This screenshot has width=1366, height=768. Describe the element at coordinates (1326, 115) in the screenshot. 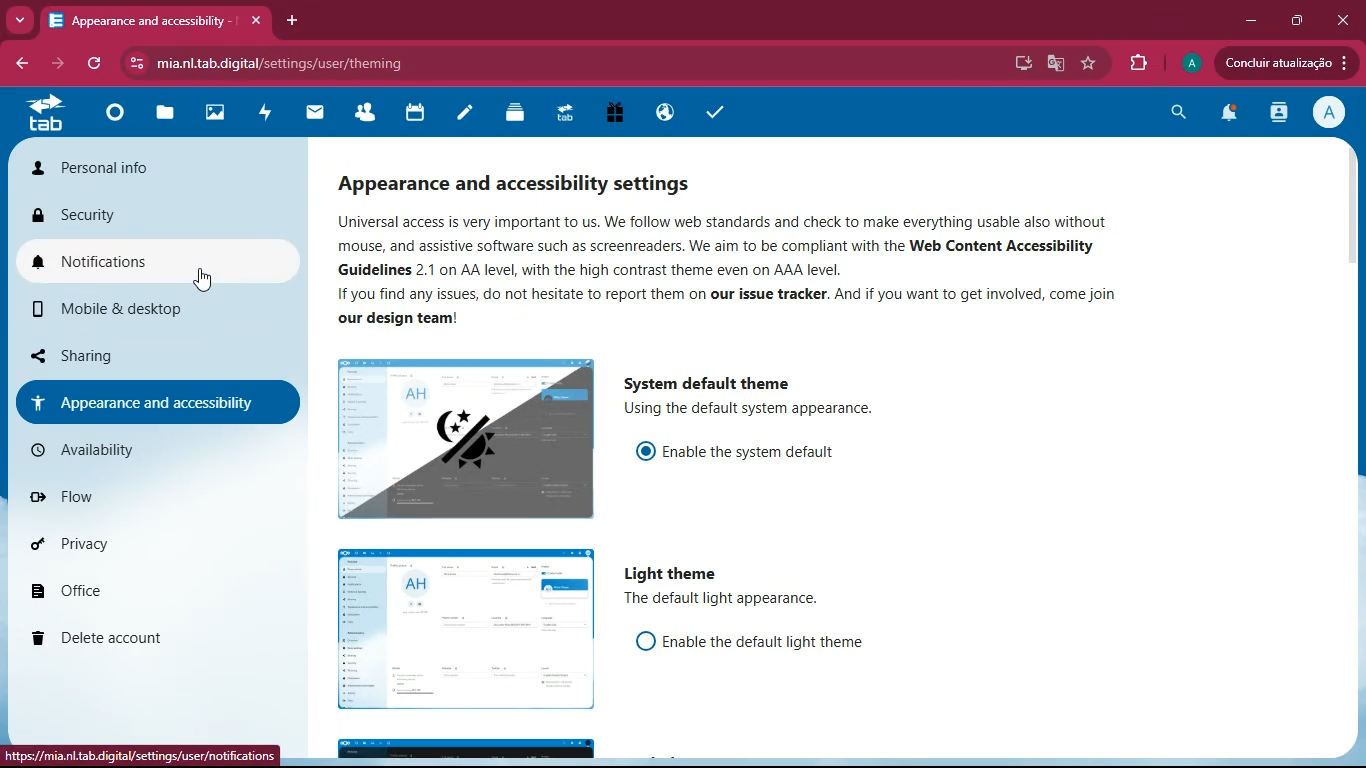

I see `profile` at that location.